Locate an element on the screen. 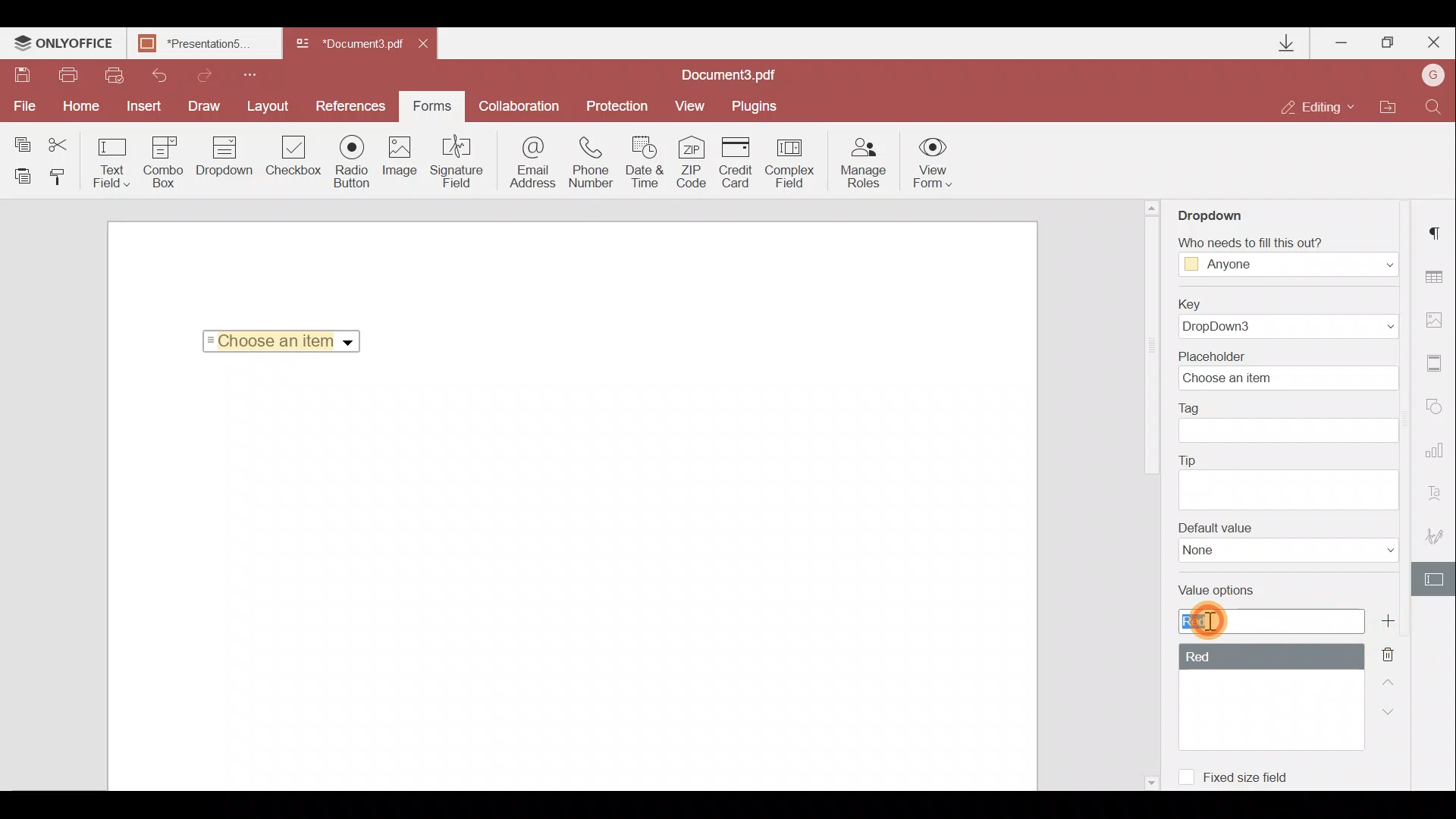  Close is located at coordinates (431, 47).